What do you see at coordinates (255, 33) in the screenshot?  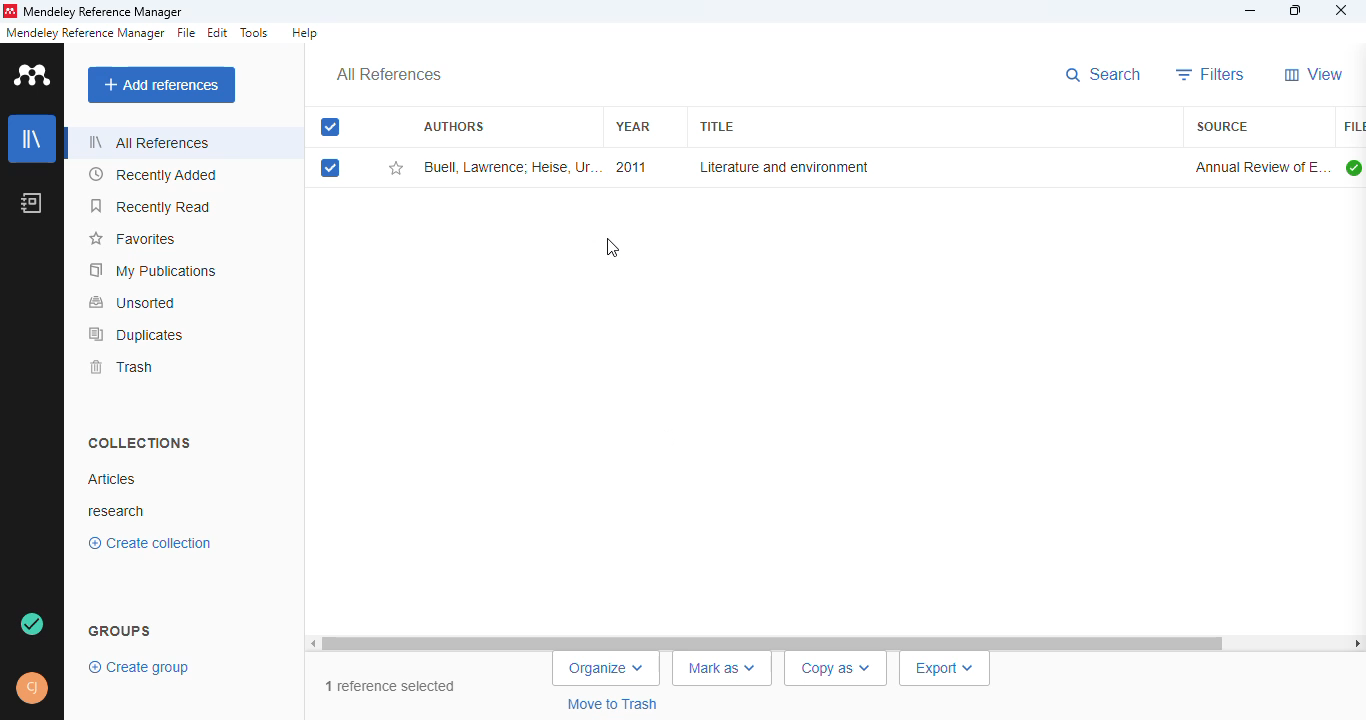 I see `tools` at bounding box center [255, 33].